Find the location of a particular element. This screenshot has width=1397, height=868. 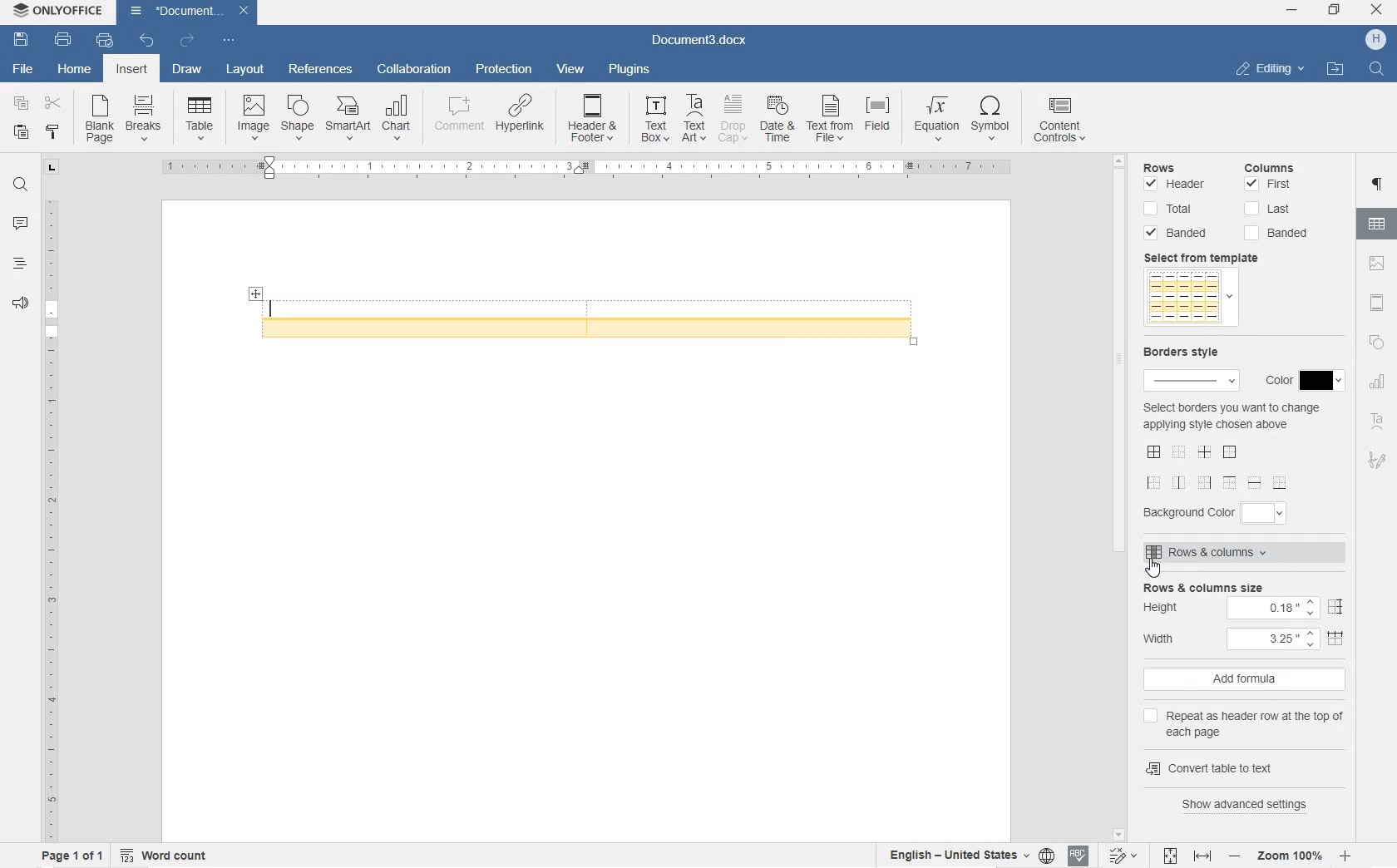

COPY is located at coordinates (19, 103).